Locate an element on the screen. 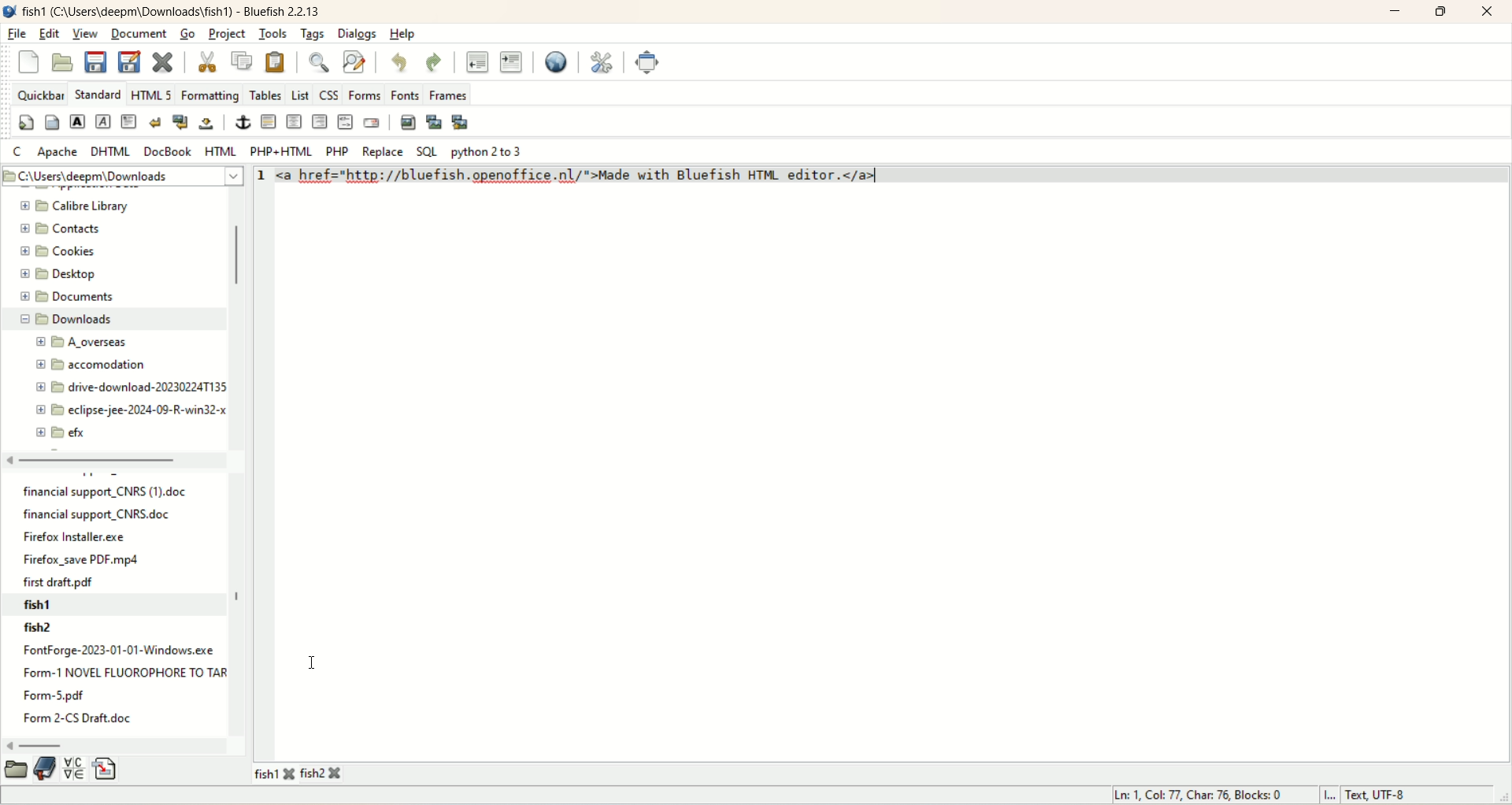 This screenshot has width=1512, height=805. HTML is located at coordinates (220, 150).